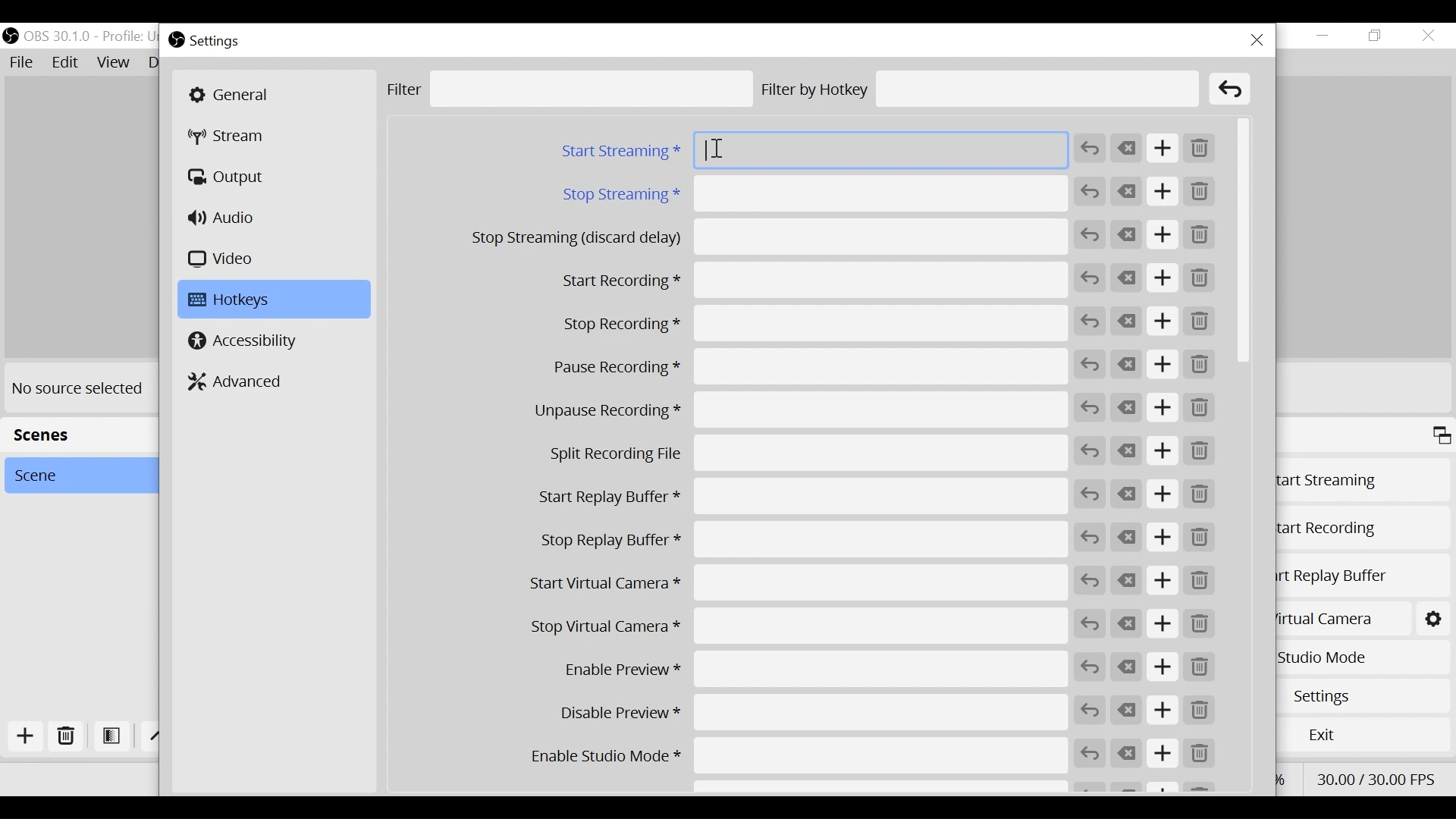 The width and height of the screenshot is (1456, 819). Describe the element at coordinates (1163, 366) in the screenshot. I see `Add` at that location.